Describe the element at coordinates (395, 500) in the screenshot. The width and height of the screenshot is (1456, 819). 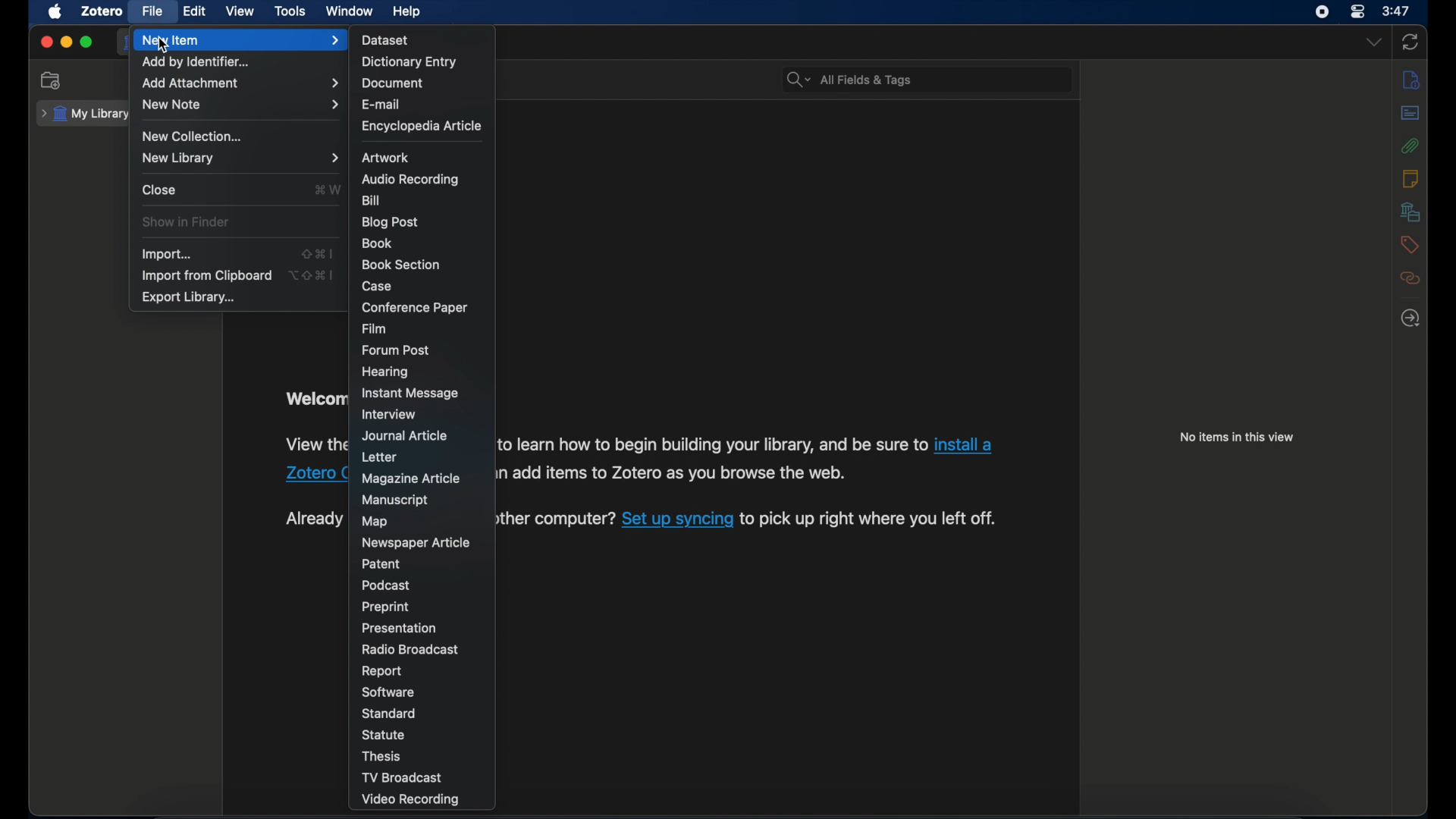
I see `manuscript` at that location.